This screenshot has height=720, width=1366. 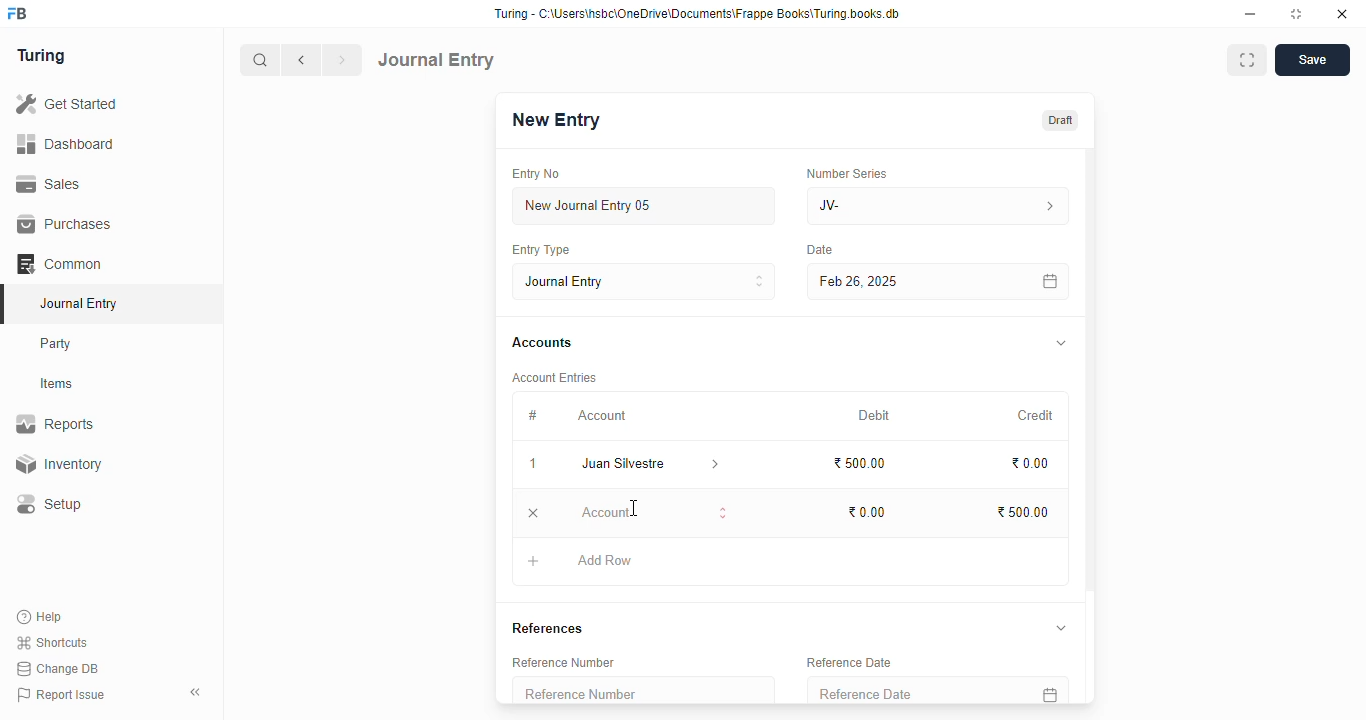 I want to click on sales, so click(x=49, y=183).